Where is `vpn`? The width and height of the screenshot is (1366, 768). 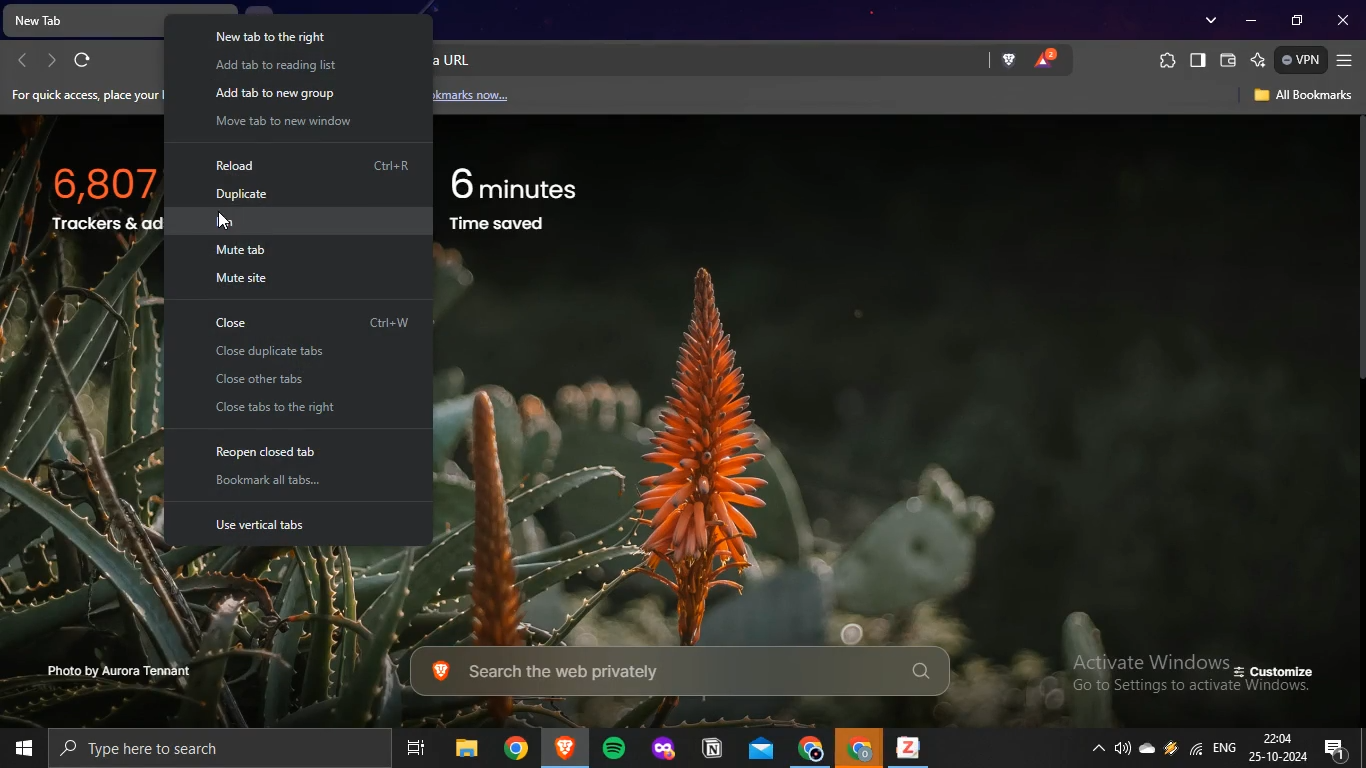 vpn is located at coordinates (1301, 59).